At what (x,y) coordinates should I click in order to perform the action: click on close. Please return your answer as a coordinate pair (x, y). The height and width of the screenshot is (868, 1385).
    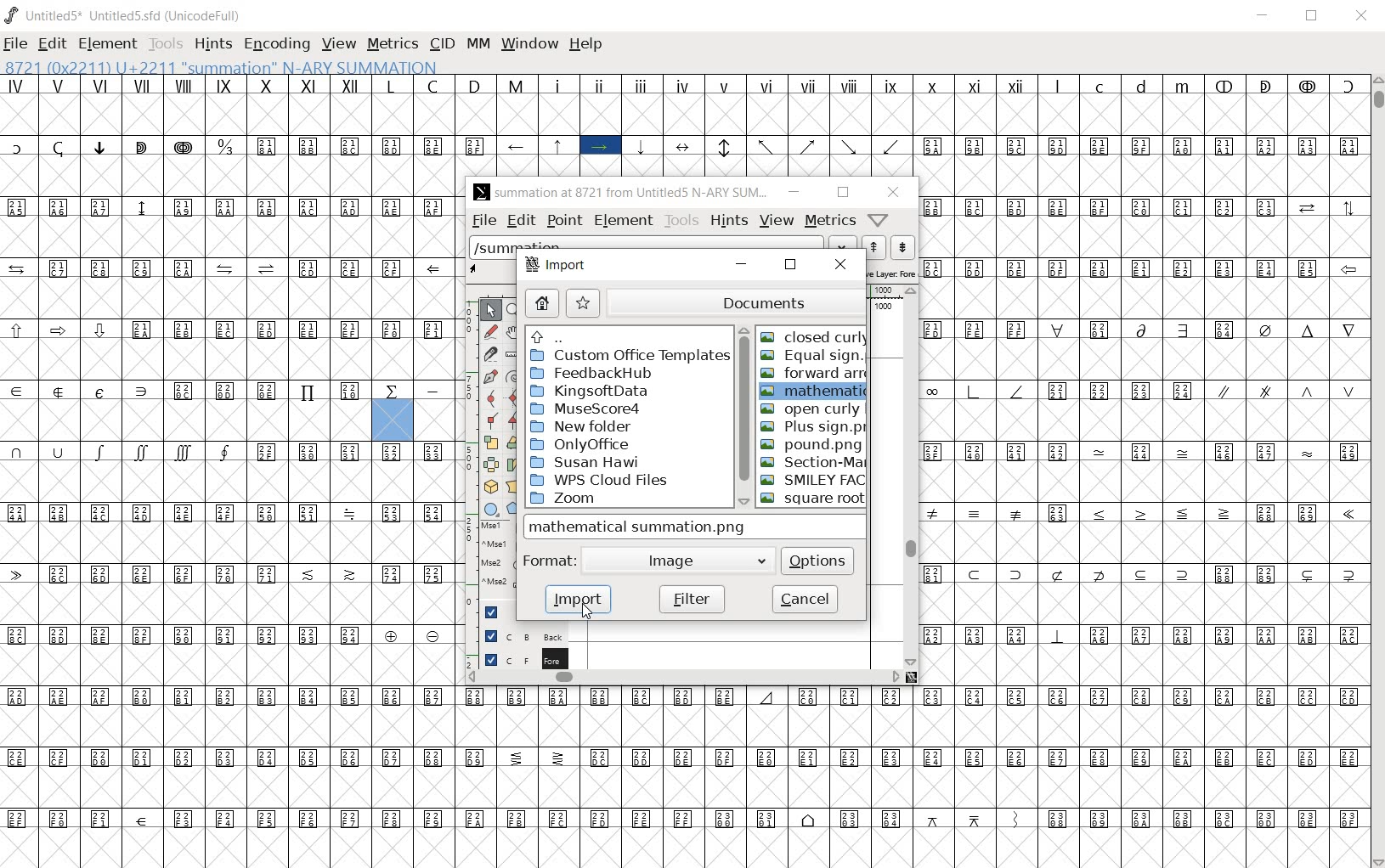
    Looking at the image, I should click on (892, 192).